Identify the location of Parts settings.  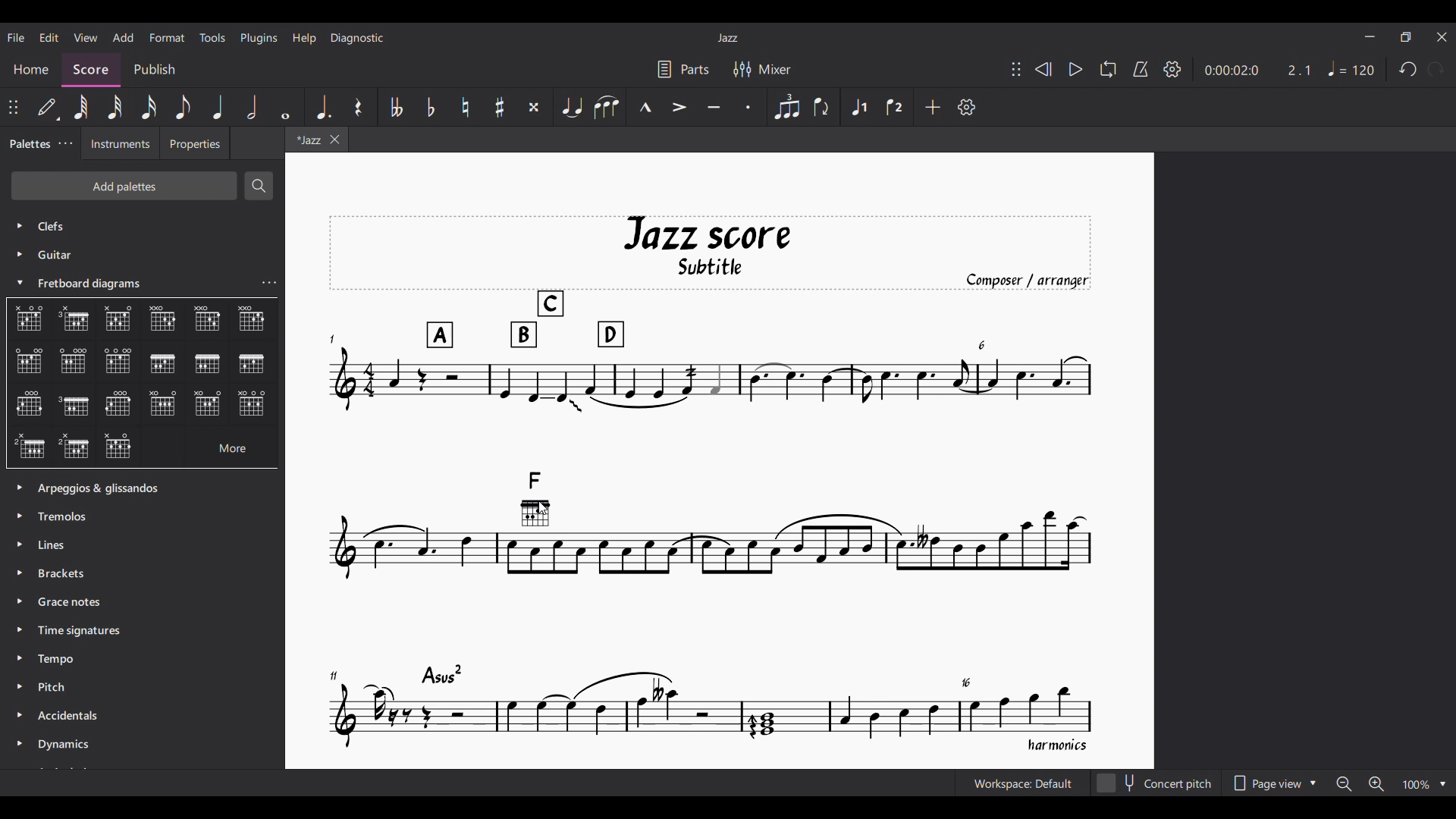
(683, 69).